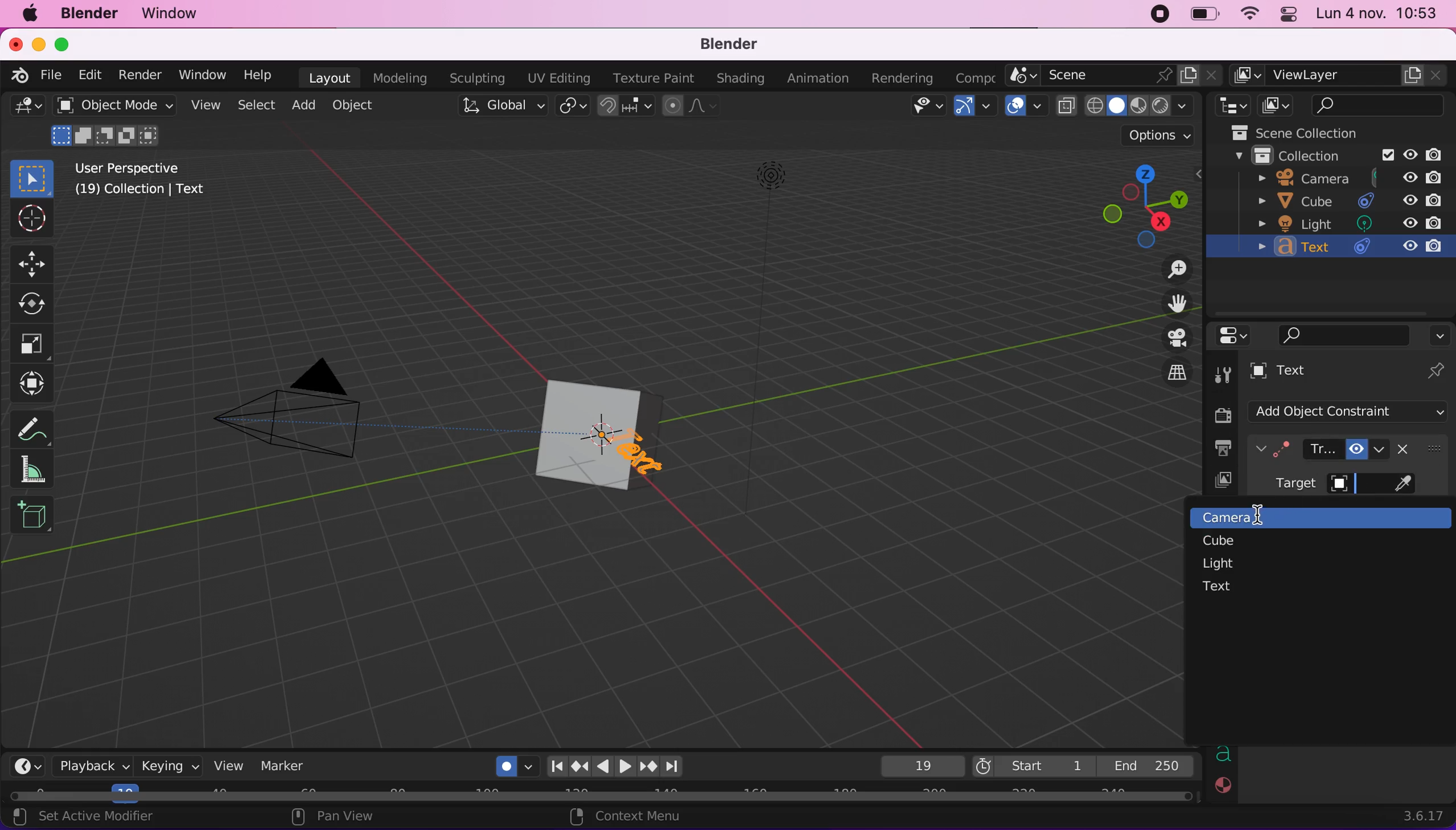 The height and width of the screenshot is (830, 1456). Describe the element at coordinates (1279, 105) in the screenshot. I see `display mode` at that location.